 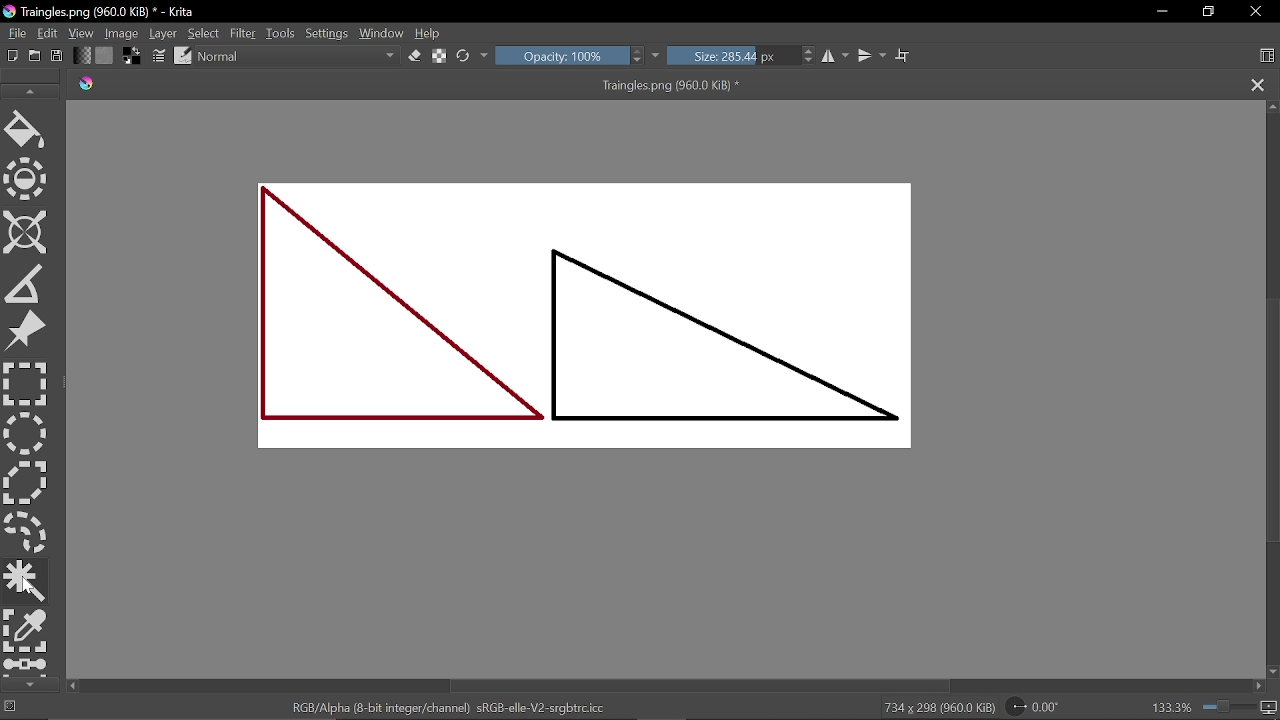 I want to click on Fill color tool, so click(x=25, y=132).